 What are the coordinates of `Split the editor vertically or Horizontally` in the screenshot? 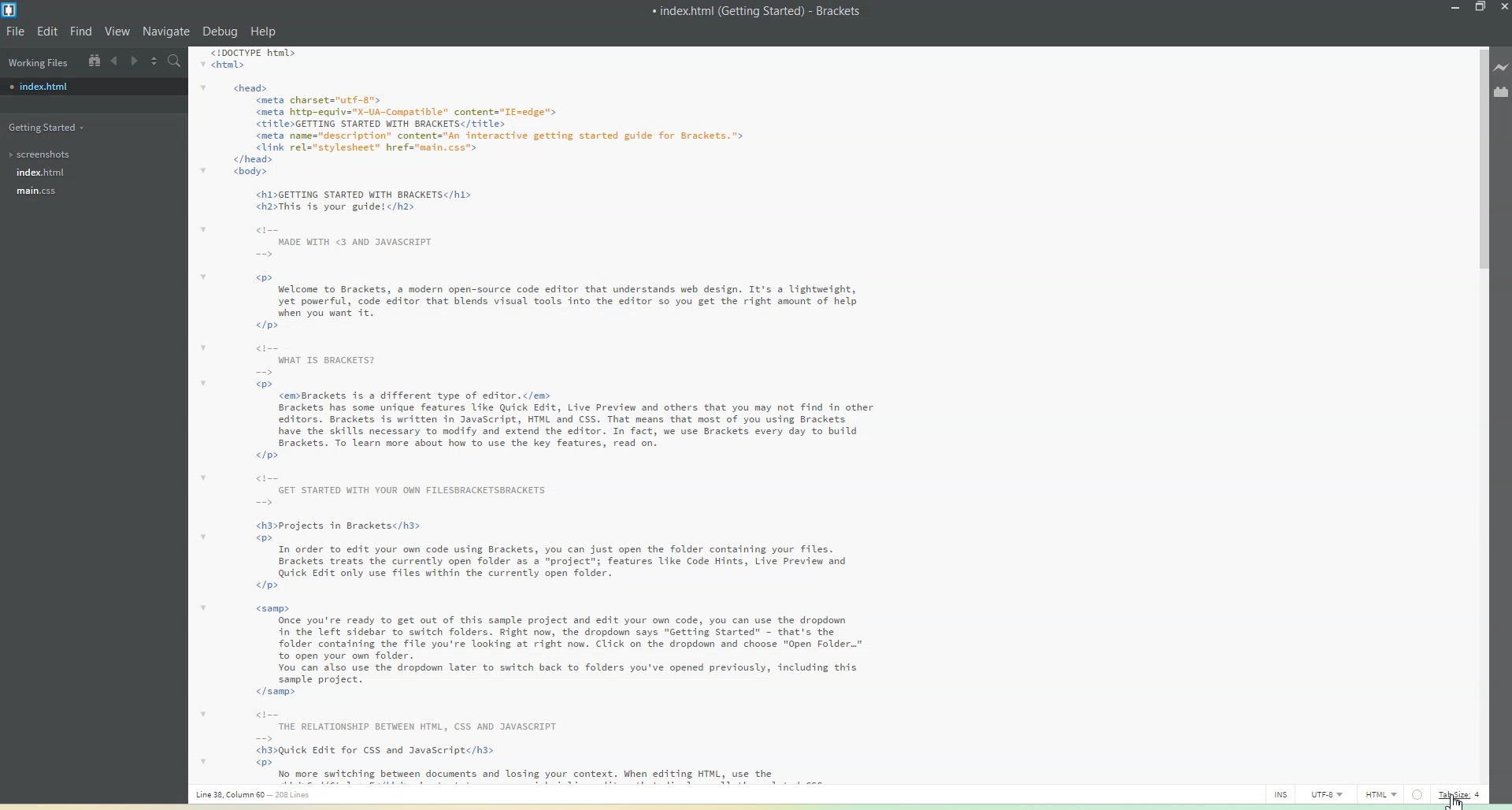 It's located at (154, 61).